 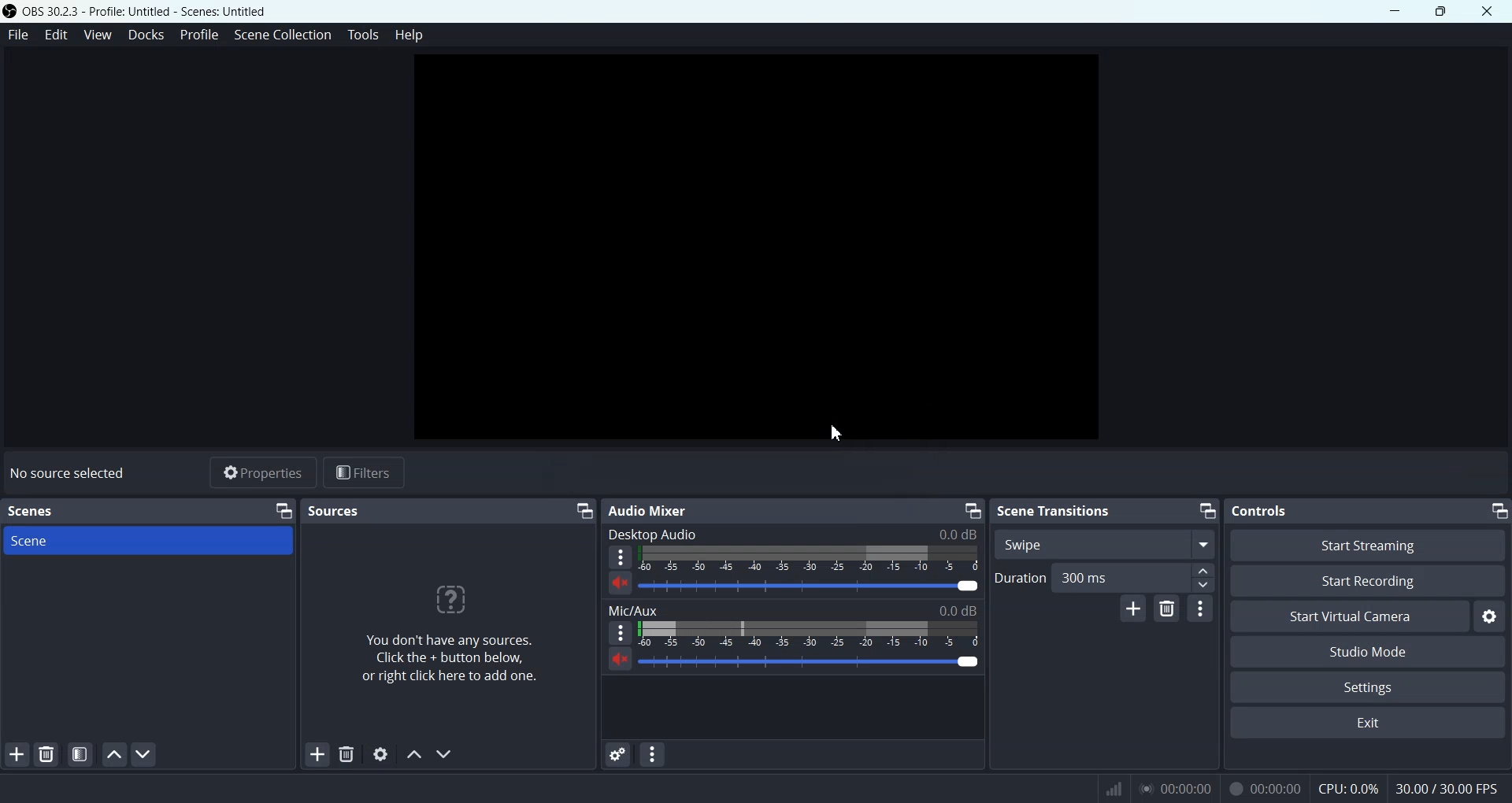 What do you see at coordinates (13, 754) in the screenshot?
I see `Add Scene` at bounding box center [13, 754].